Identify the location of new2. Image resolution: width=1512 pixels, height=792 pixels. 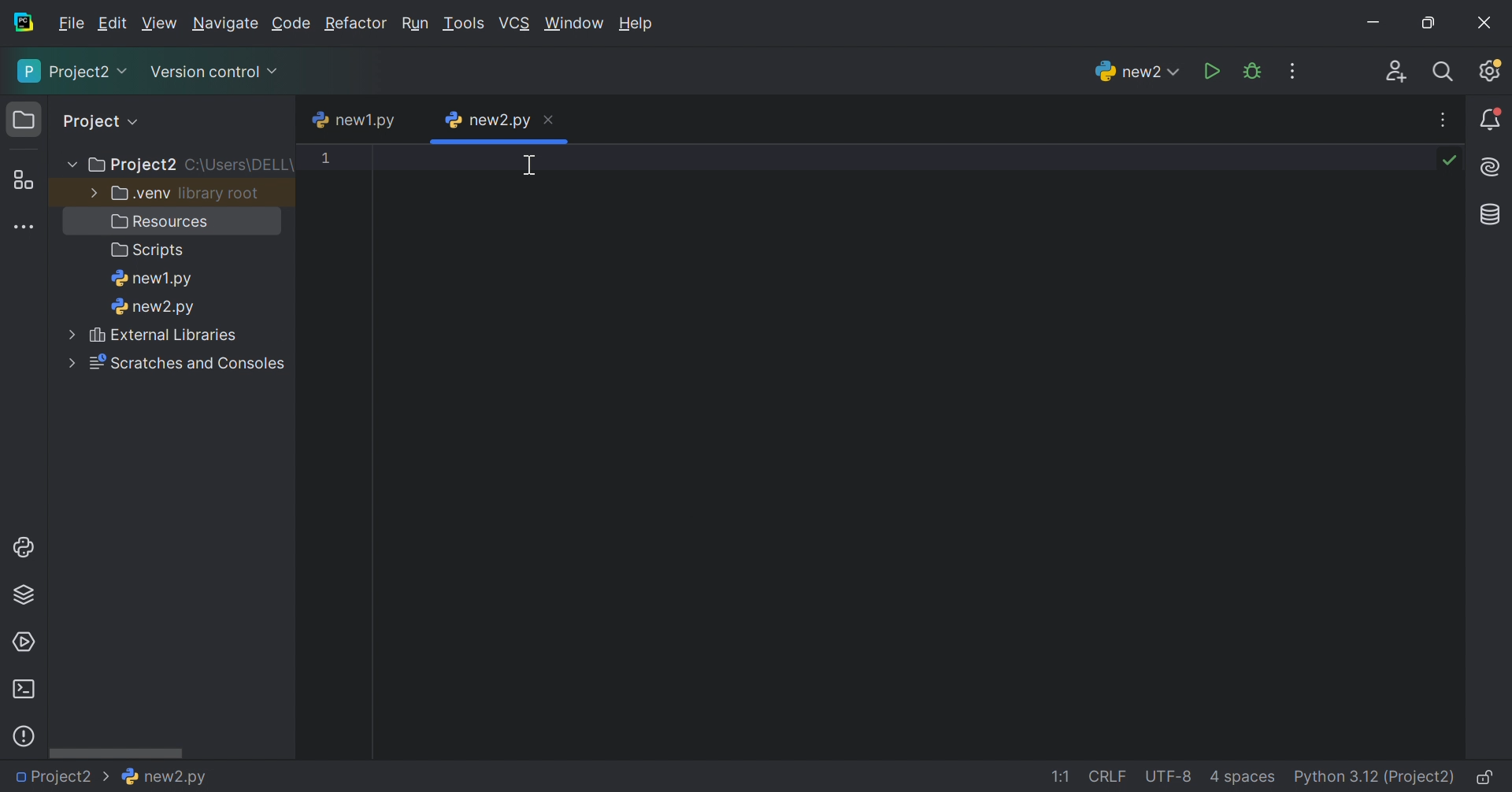
(1140, 70).